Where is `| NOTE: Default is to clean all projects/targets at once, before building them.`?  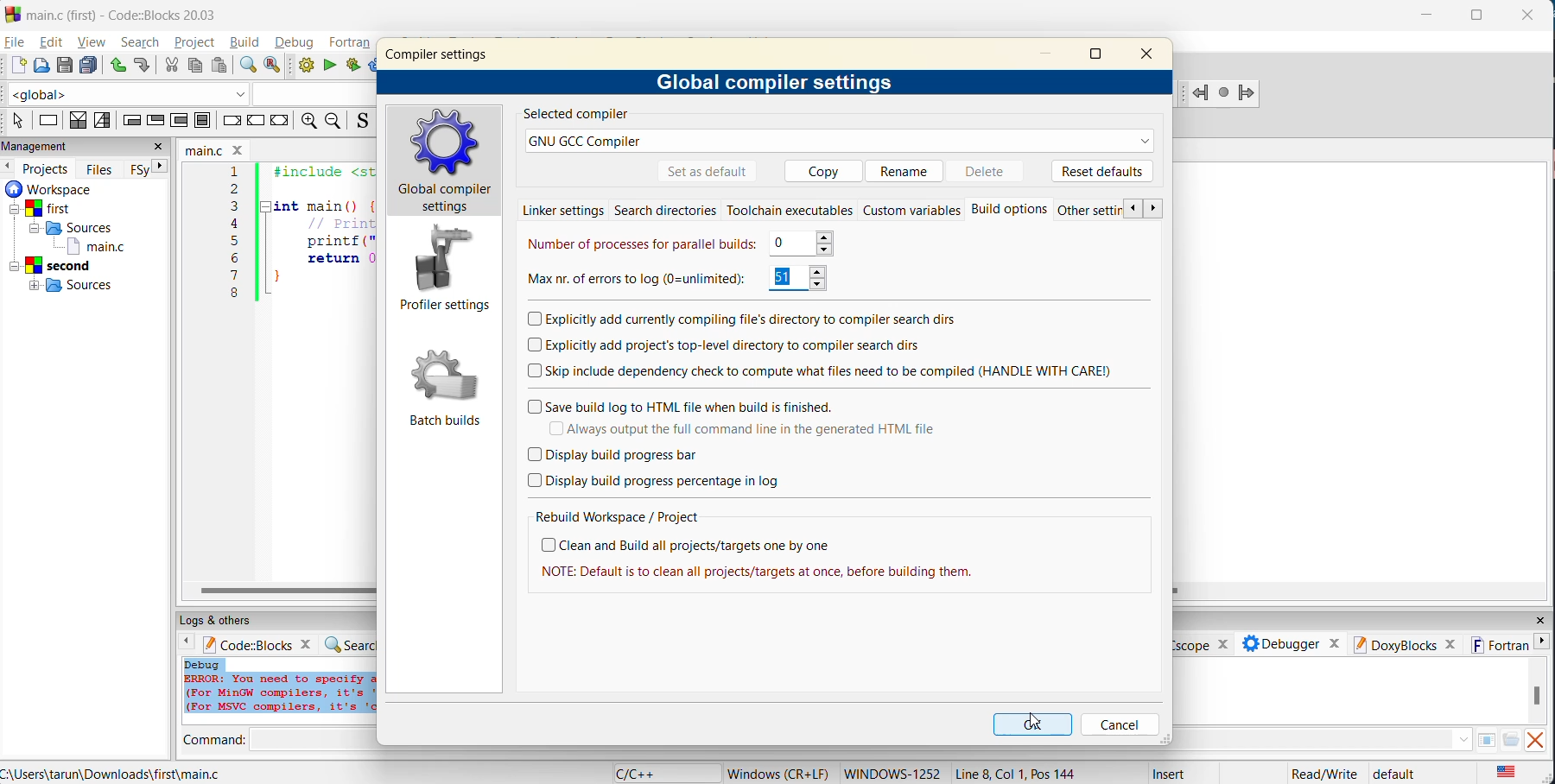 | NOTE: Default is to clean all projects/targets at once, before building them. is located at coordinates (765, 572).